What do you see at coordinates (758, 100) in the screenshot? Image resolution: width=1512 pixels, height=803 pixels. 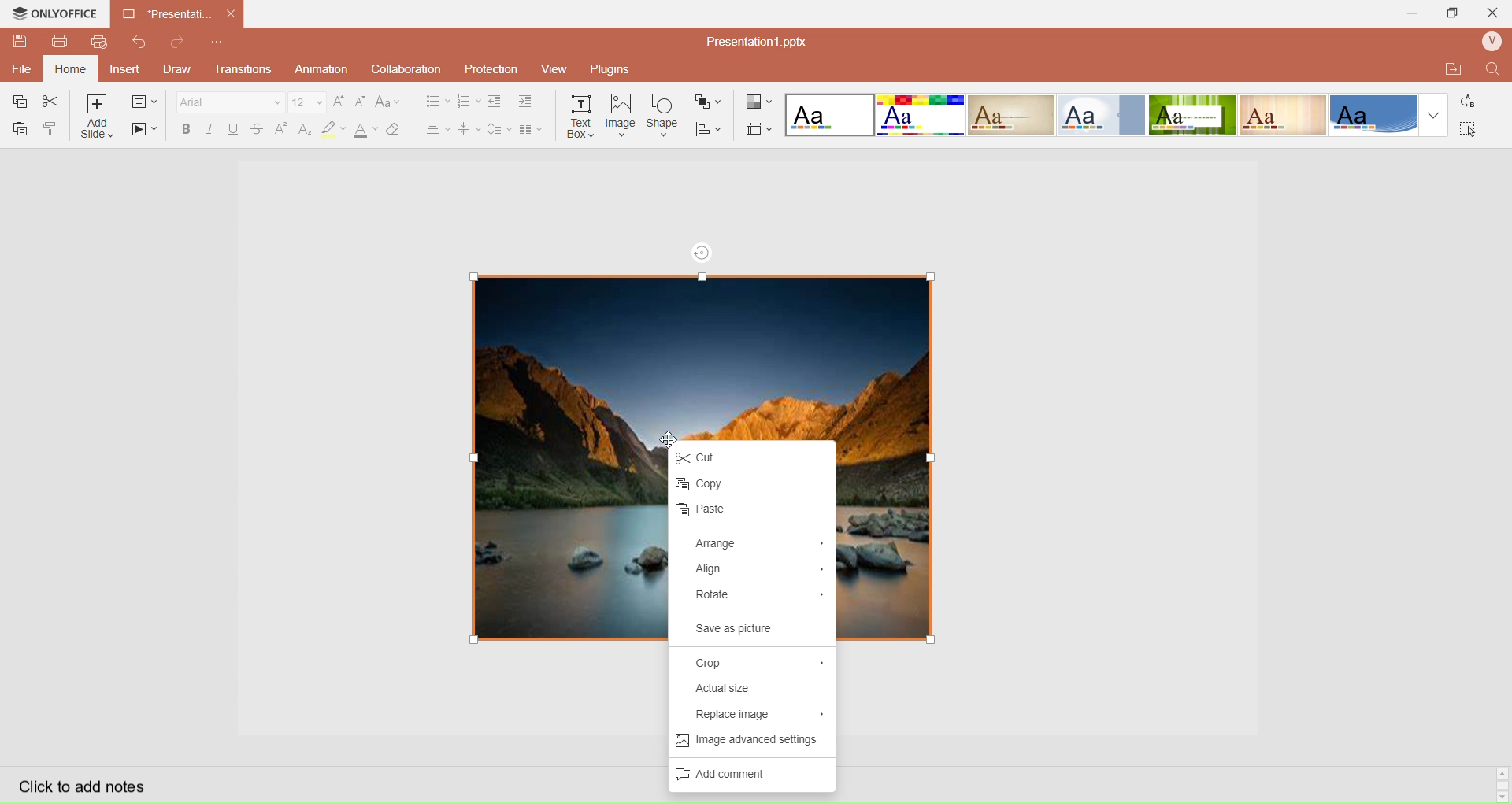 I see `Change Color Theme` at bounding box center [758, 100].